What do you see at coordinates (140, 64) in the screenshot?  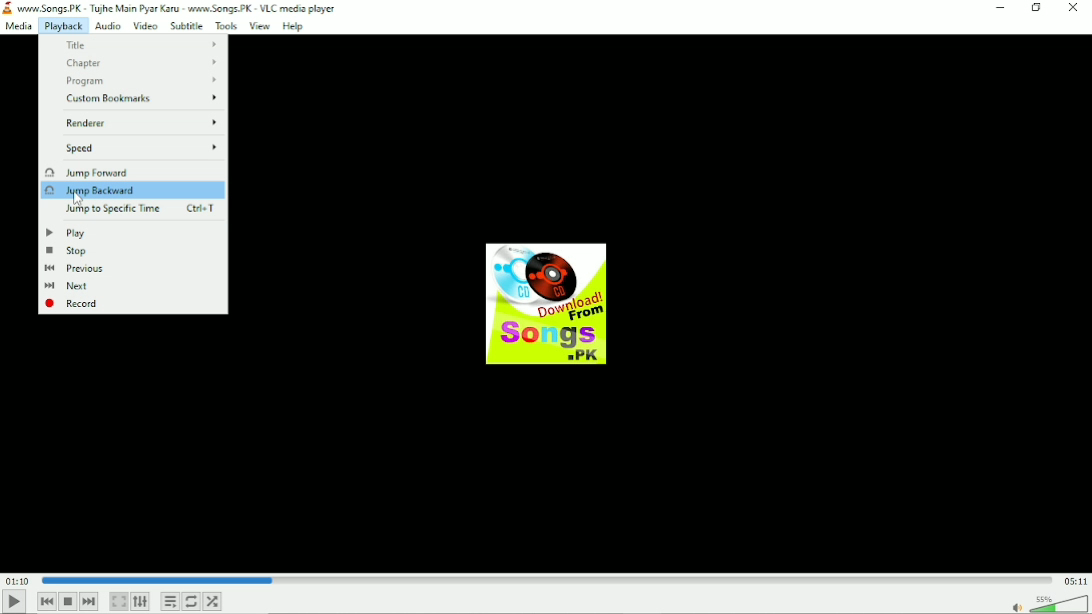 I see `Chapter` at bounding box center [140, 64].